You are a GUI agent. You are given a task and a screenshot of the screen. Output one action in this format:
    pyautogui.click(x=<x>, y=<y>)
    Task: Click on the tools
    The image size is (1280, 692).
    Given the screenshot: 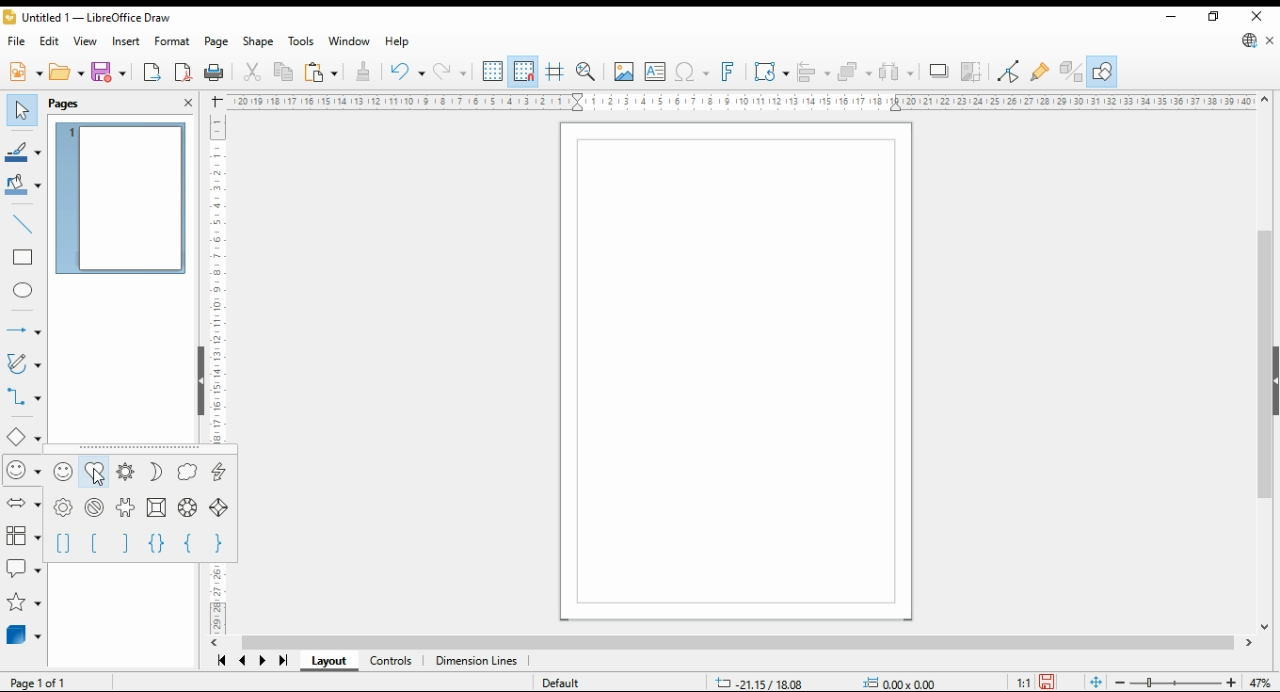 What is the action you would take?
    pyautogui.click(x=302, y=41)
    